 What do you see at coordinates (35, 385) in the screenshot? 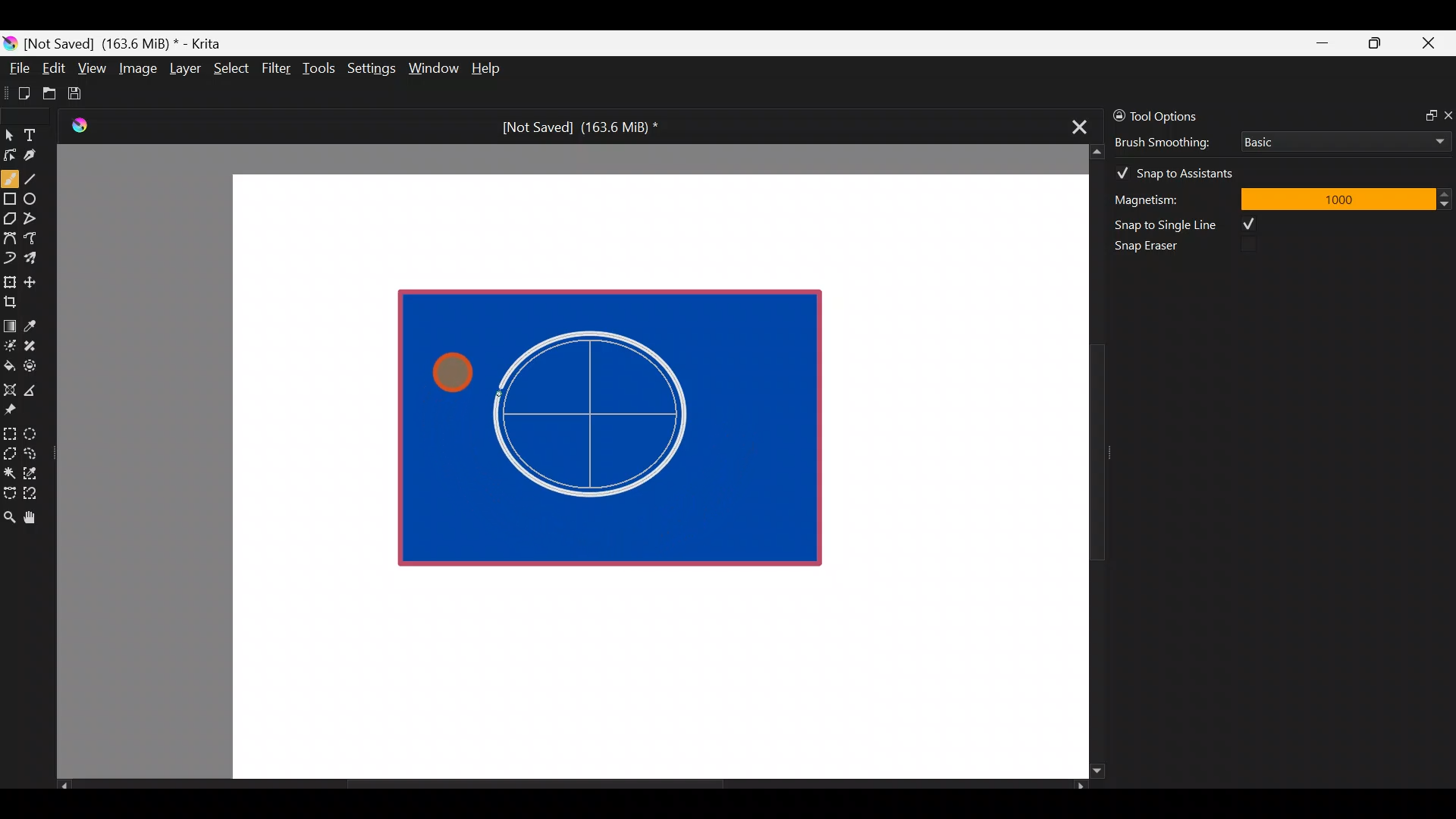
I see `Measure the distance between two points` at bounding box center [35, 385].